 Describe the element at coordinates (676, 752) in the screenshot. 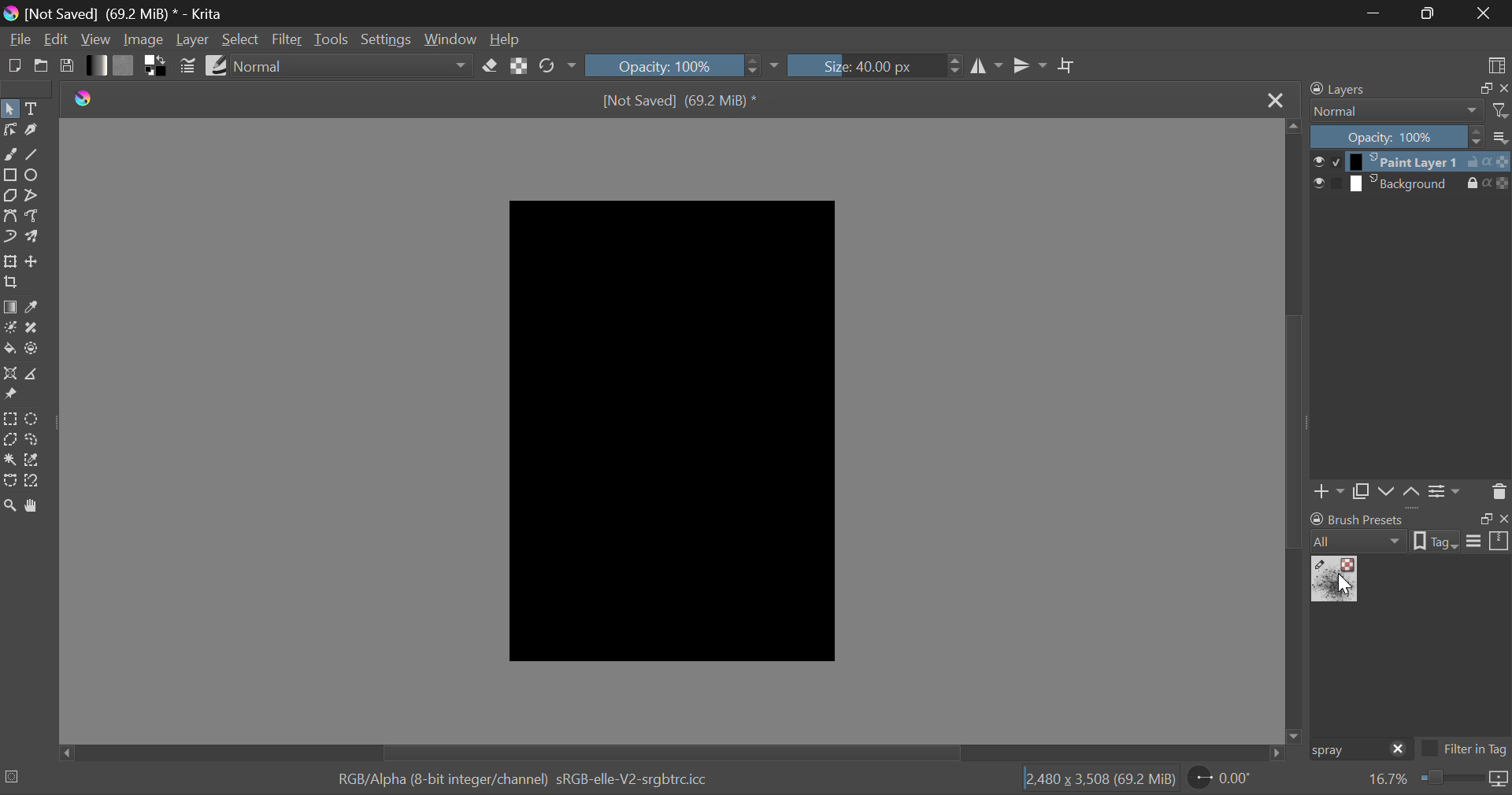

I see `Scroll Bar` at that location.